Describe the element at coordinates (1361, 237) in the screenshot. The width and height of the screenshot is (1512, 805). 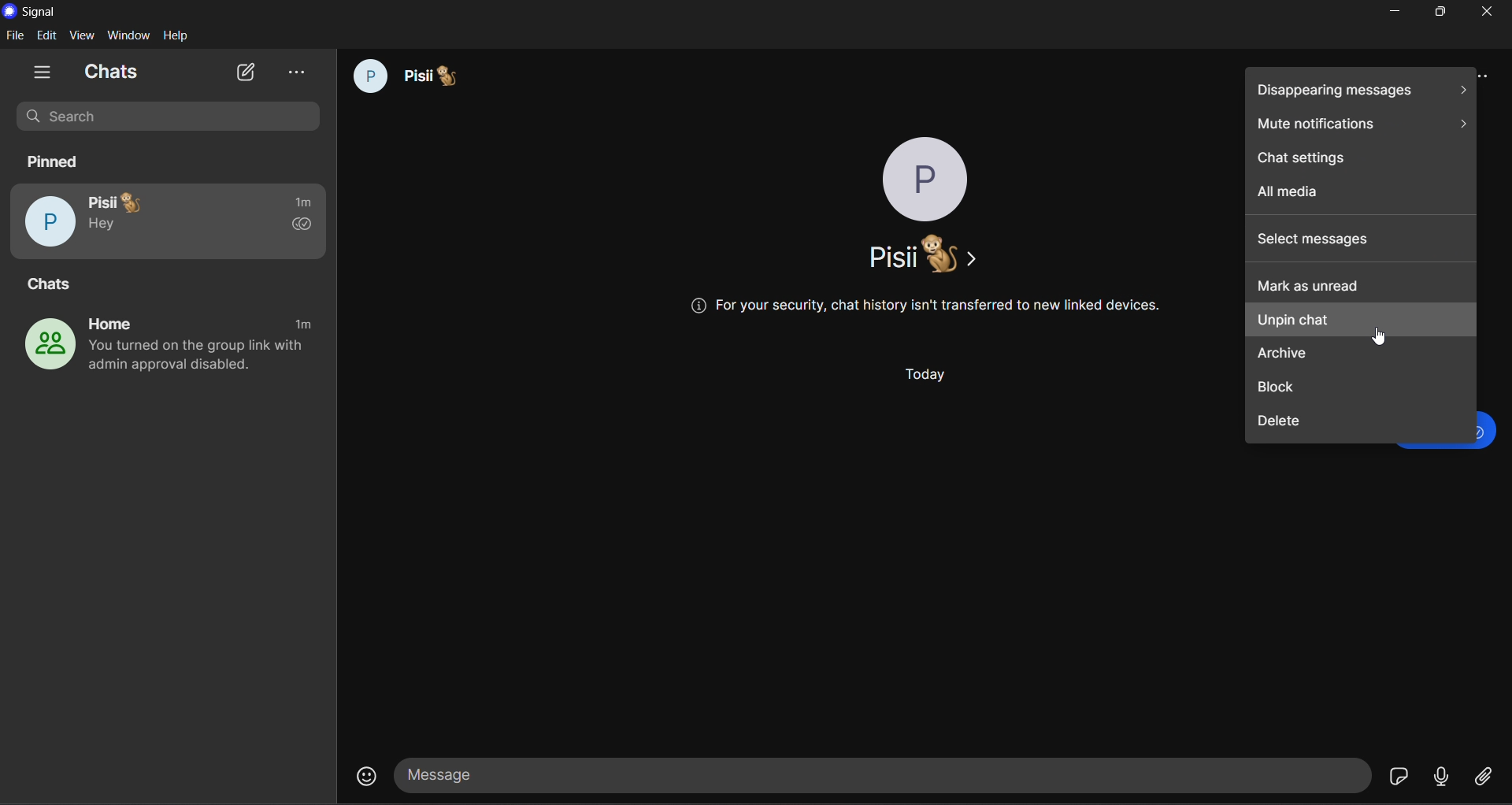
I see `select messages` at that location.